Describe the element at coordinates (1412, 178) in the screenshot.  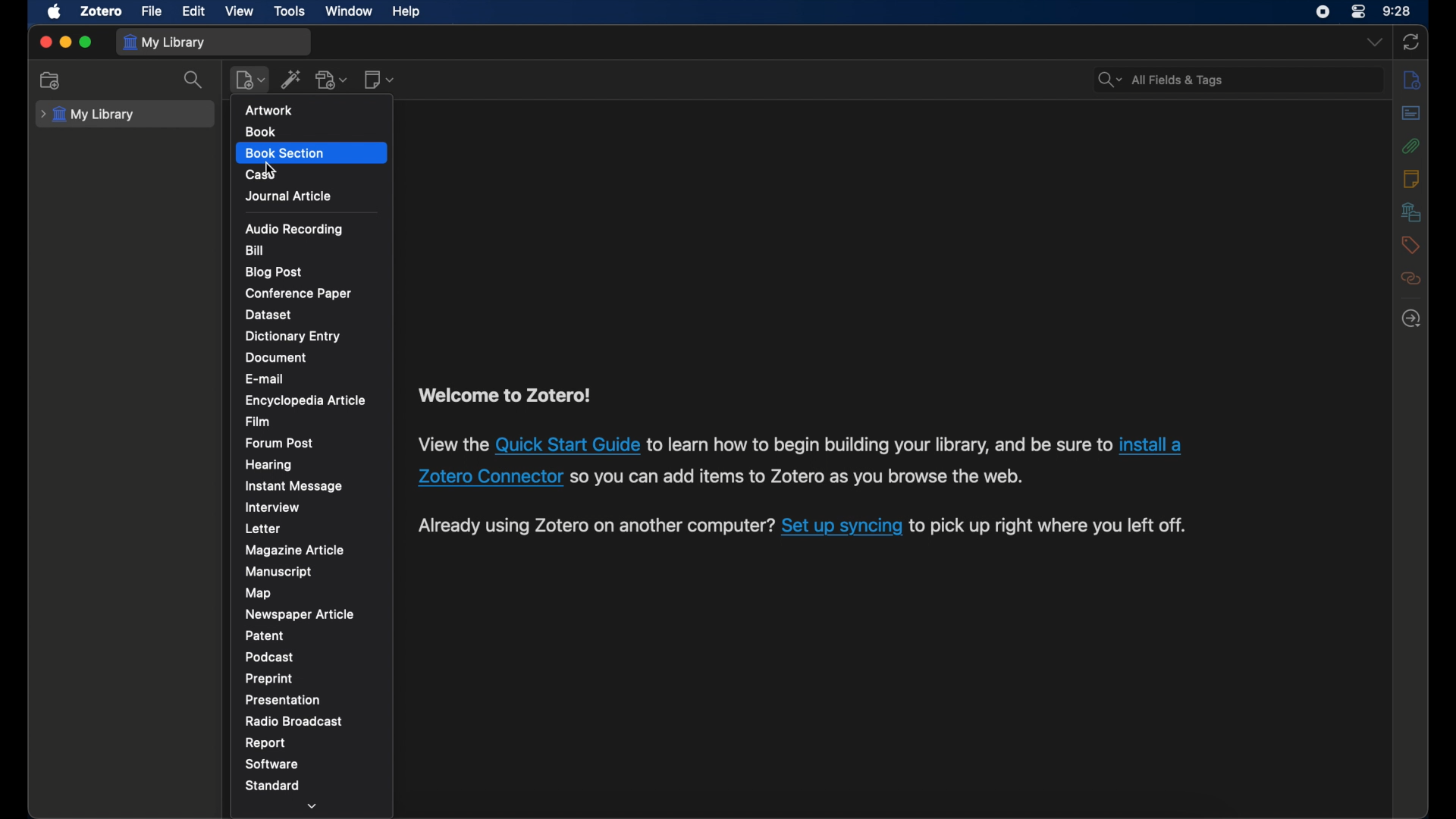
I see `notes` at that location.